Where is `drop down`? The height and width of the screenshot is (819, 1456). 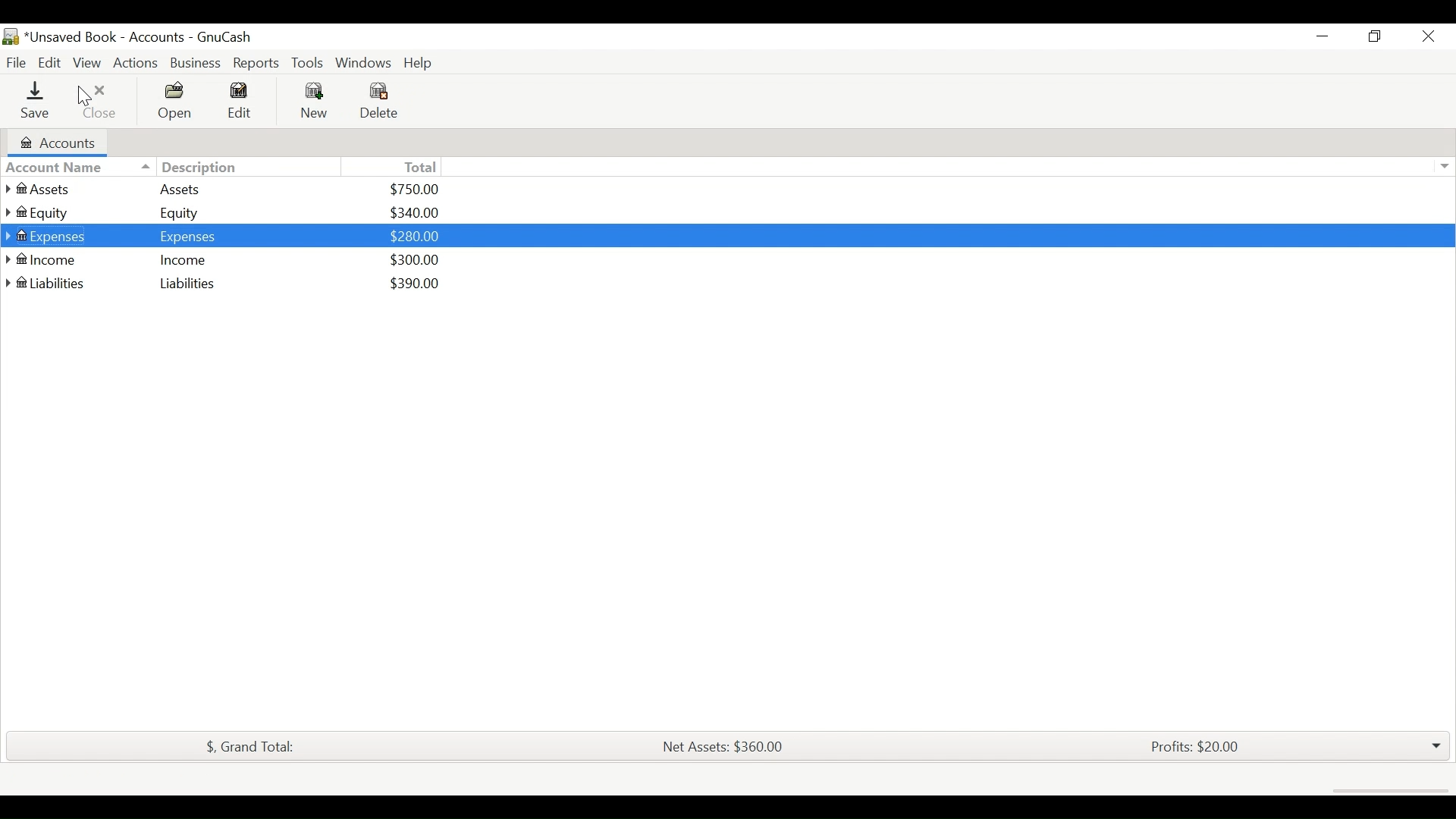 drop down is located at coordinates (1435, 746).